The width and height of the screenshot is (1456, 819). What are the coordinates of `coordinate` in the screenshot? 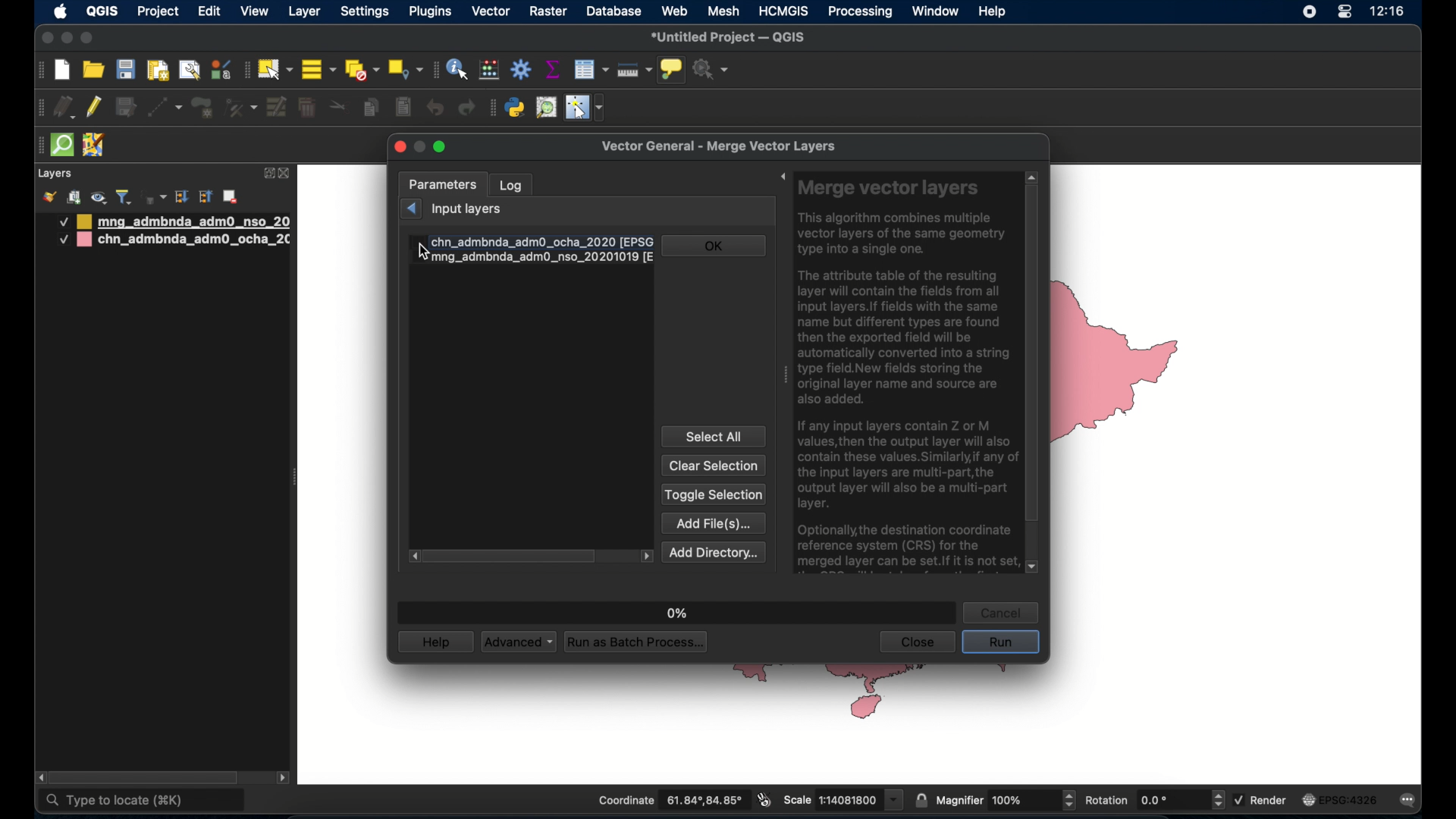 It's located at (670, 801).